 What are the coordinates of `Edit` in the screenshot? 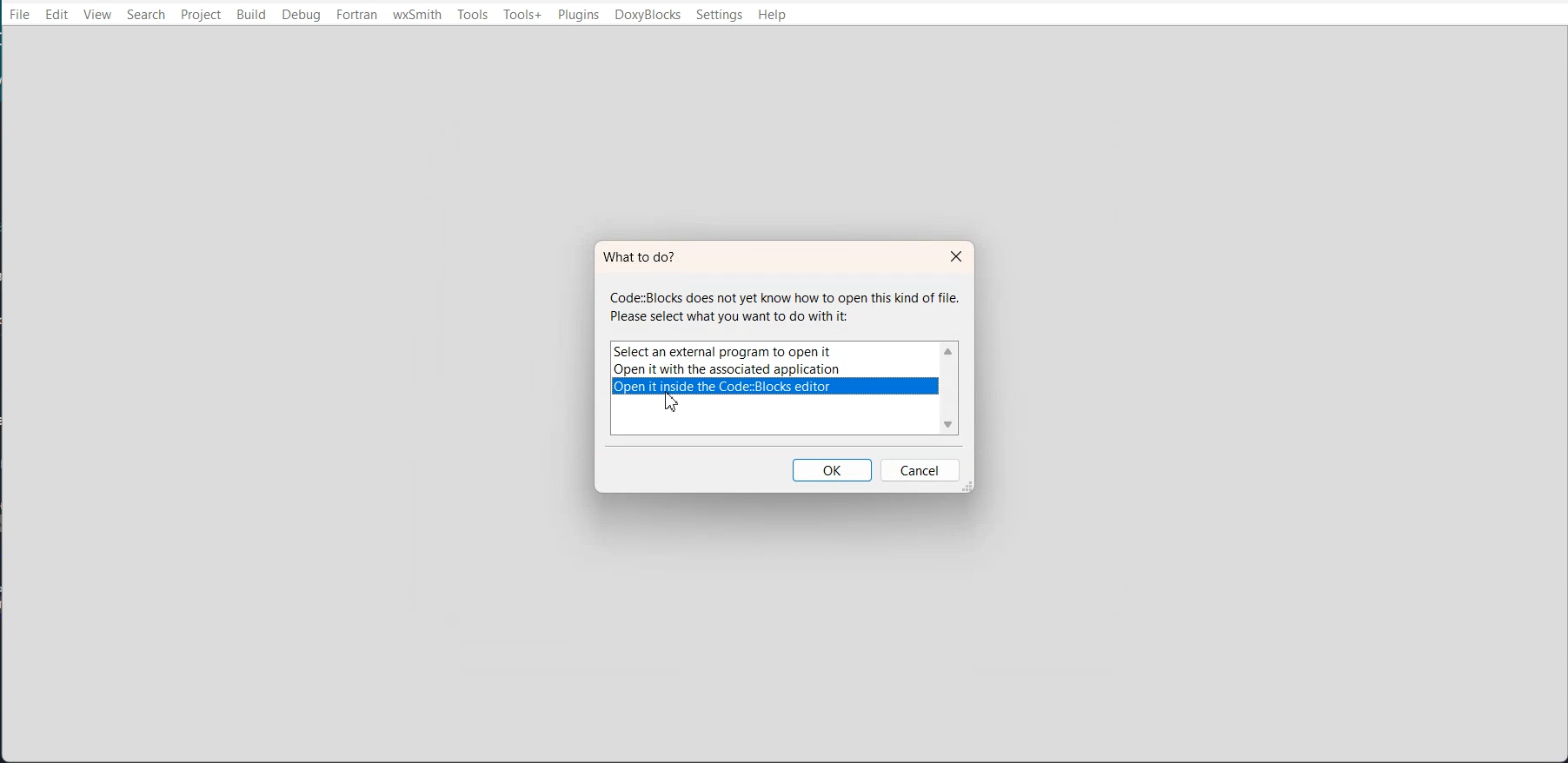 It's located at (57, 15).